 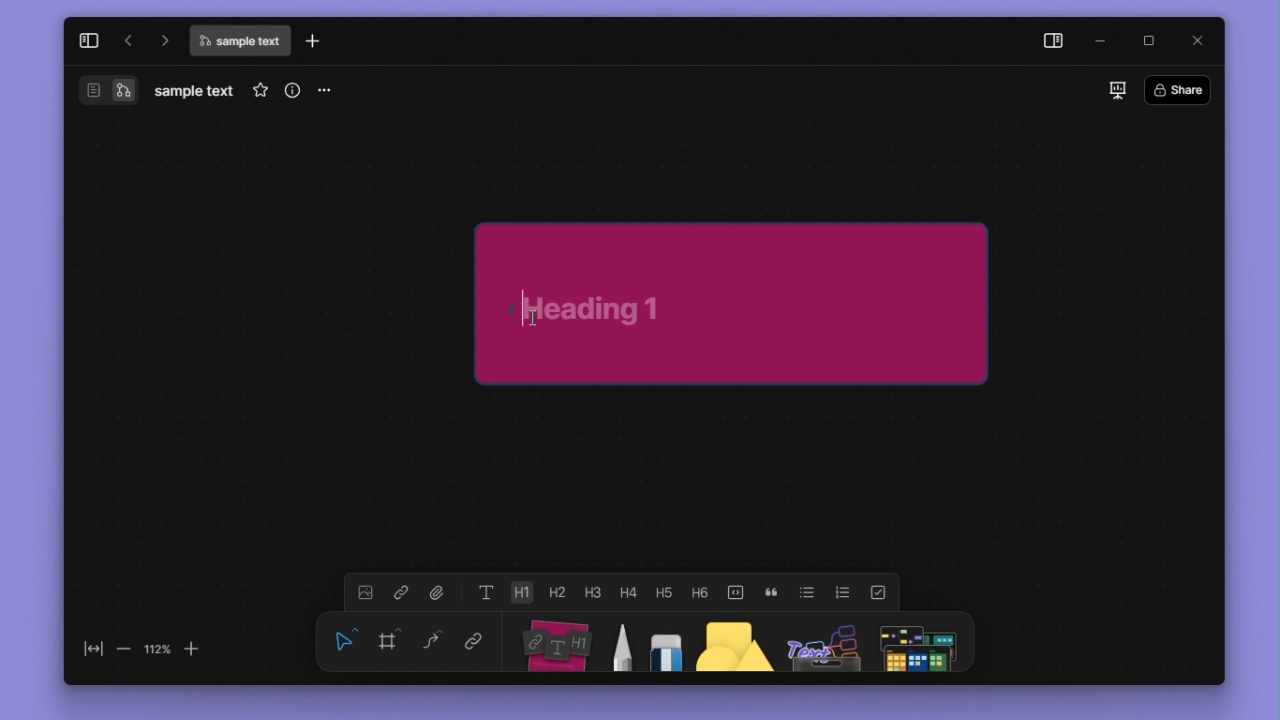 What do you see at coordinates (878, 593) in the screenshot?
I see `to do list` at bounding box center [878, 593].